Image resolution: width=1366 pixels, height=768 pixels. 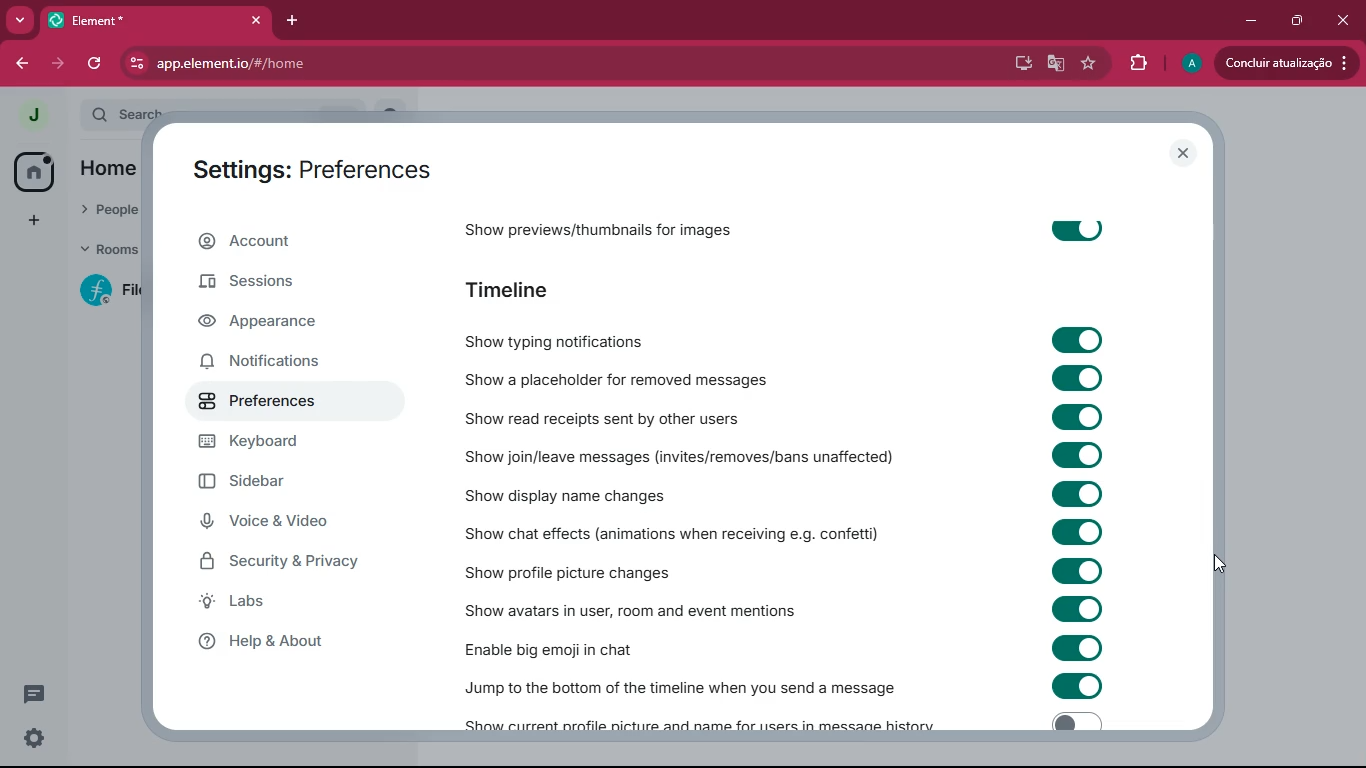 I want to click on toggle on , so click(x=1077, y=569).